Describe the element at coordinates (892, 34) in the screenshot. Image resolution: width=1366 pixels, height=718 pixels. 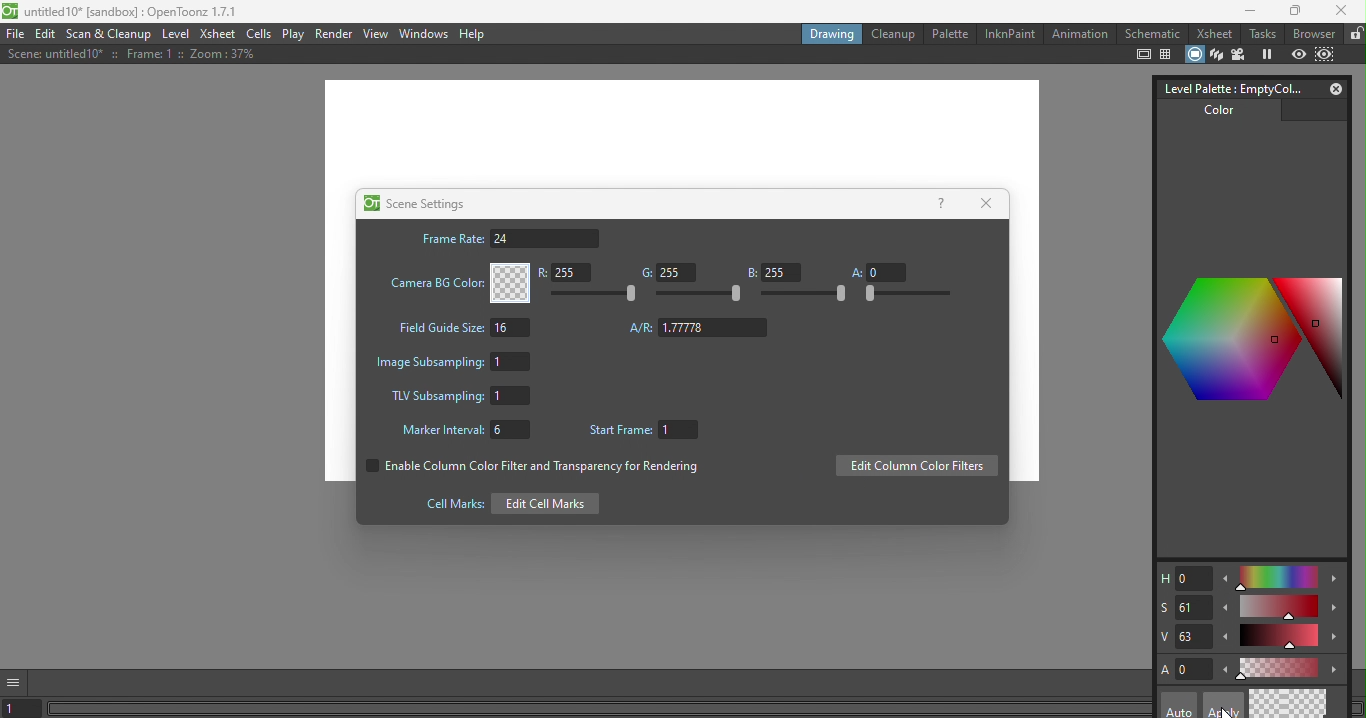
I see `Cleanup` at that location.